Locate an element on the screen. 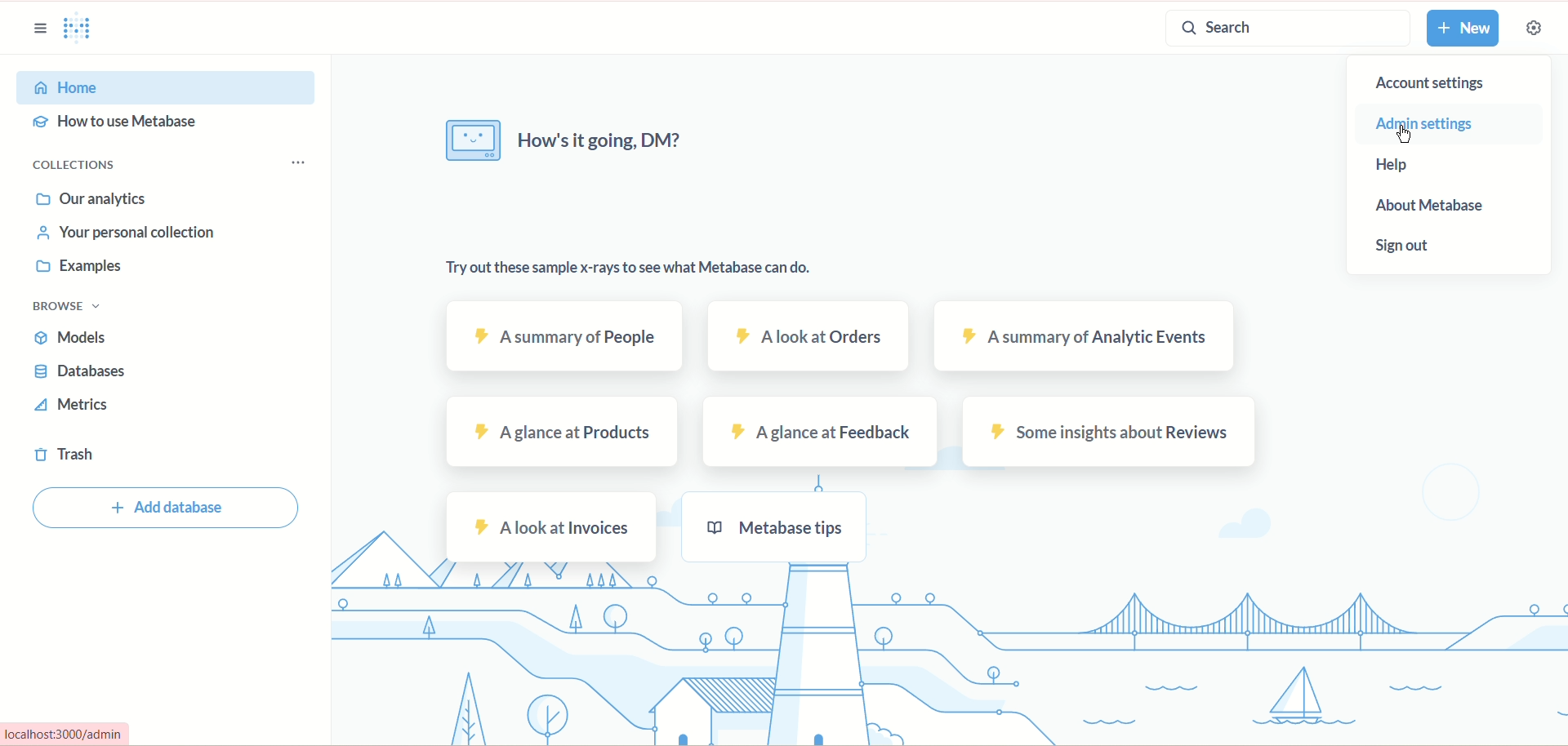 Image resolution: width=1568 pixels, height=746 pixels. search is located at coordinates (1287, 28).